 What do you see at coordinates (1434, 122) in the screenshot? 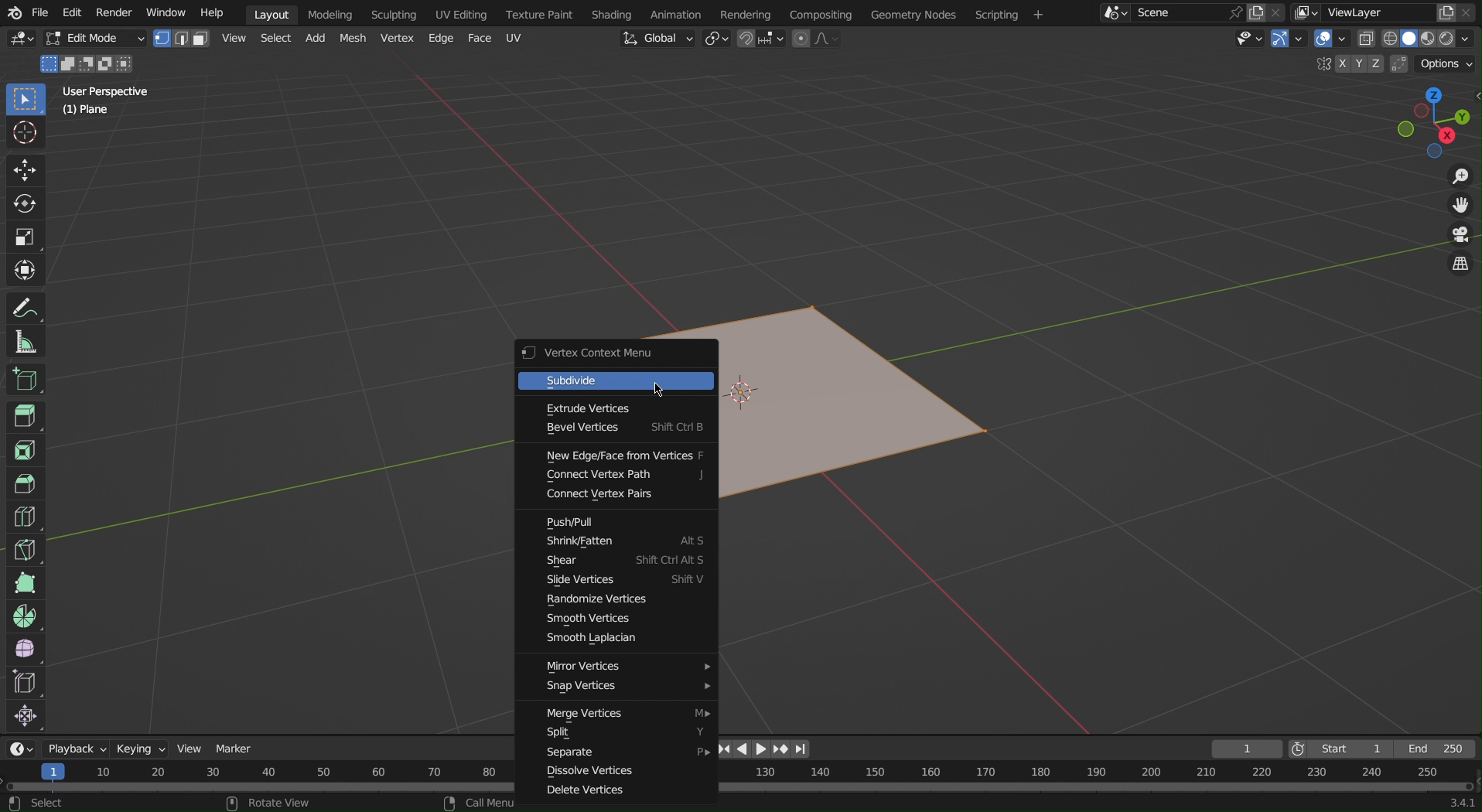
I see `Viewport` at bounding box center [1434, 122].